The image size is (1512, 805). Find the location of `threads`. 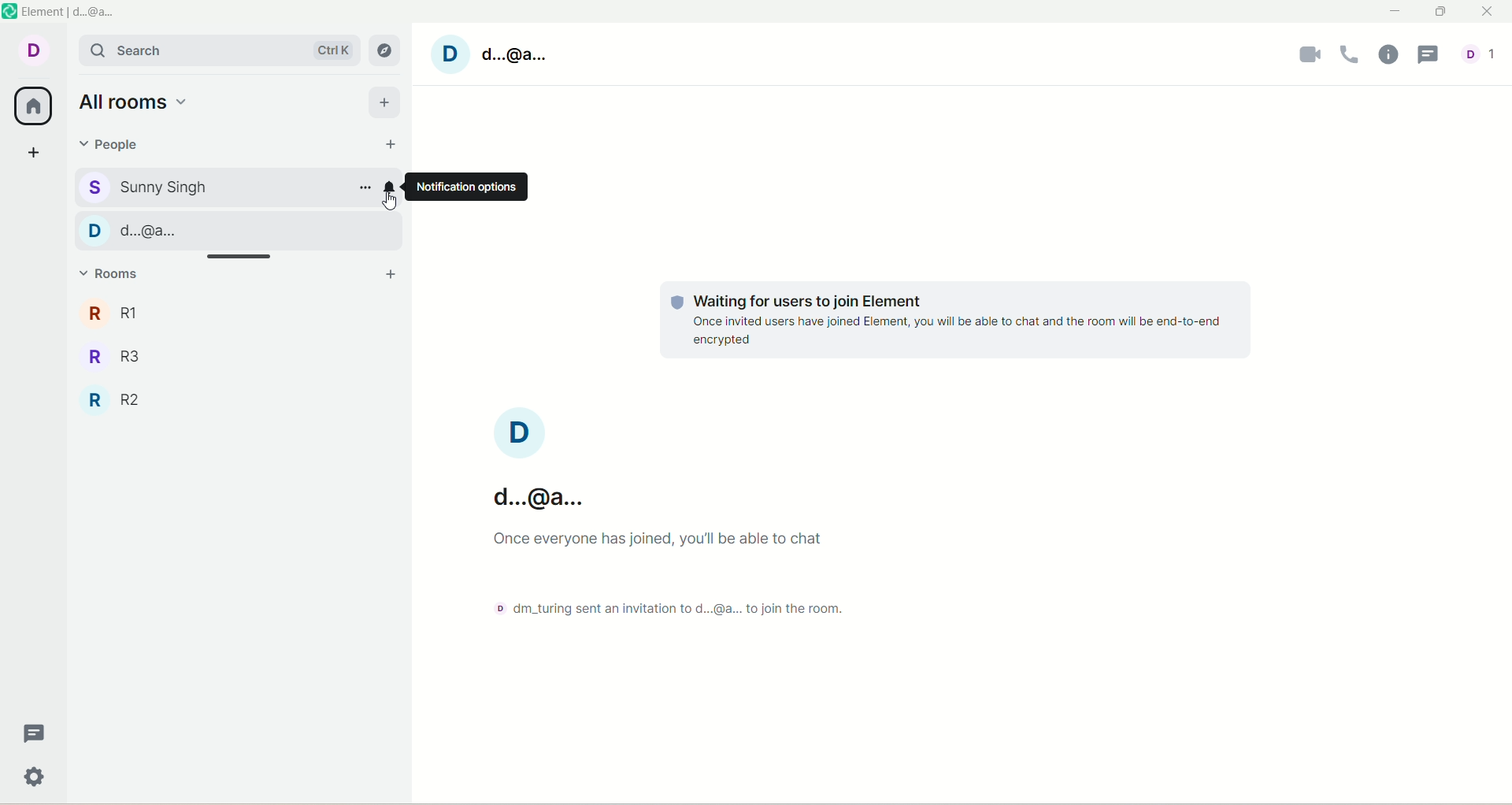

threads is located at coordinates (36, 732).